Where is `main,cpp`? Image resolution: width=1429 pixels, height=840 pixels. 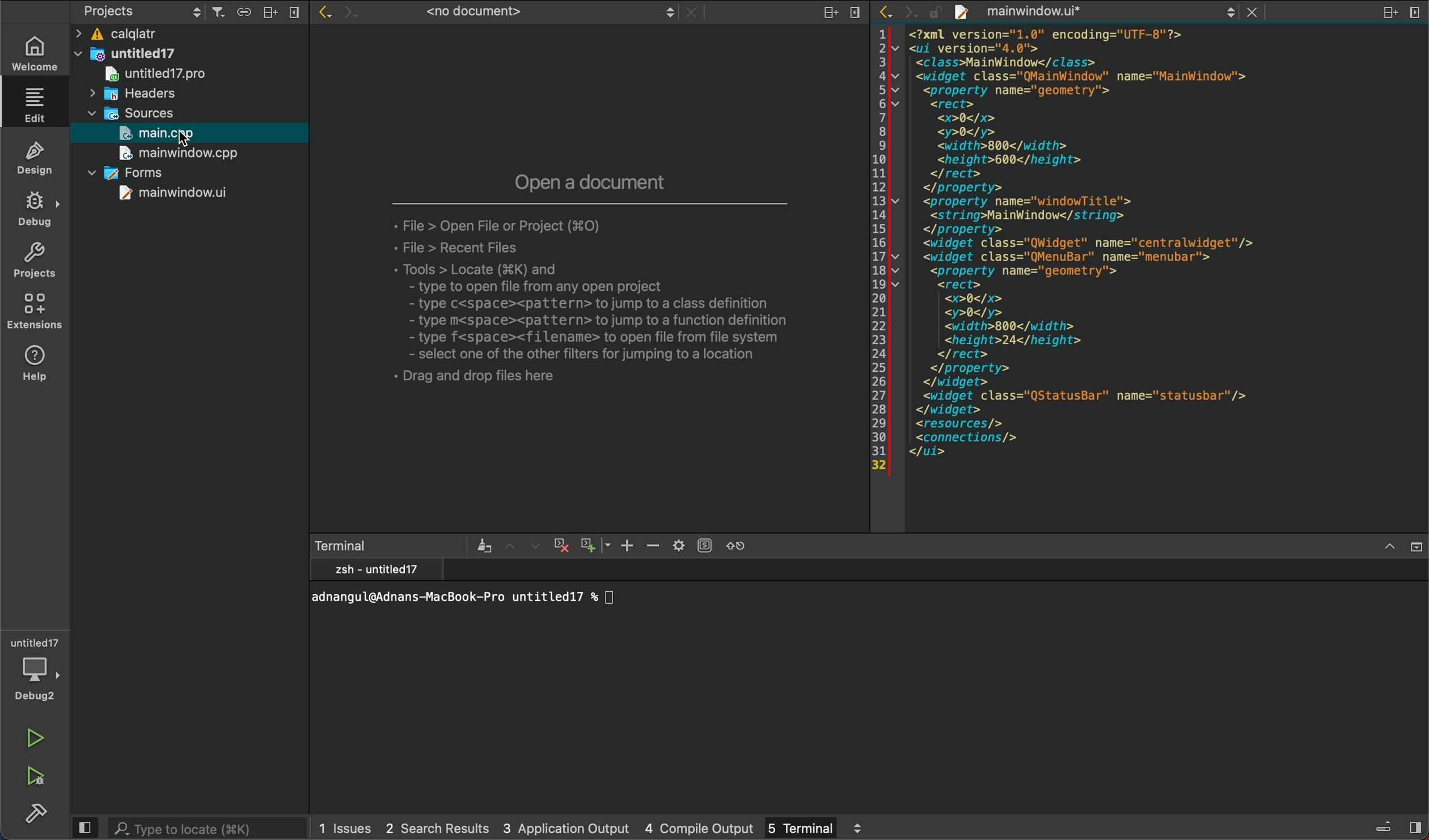 main,cpp is located at coordinates (164, 134).